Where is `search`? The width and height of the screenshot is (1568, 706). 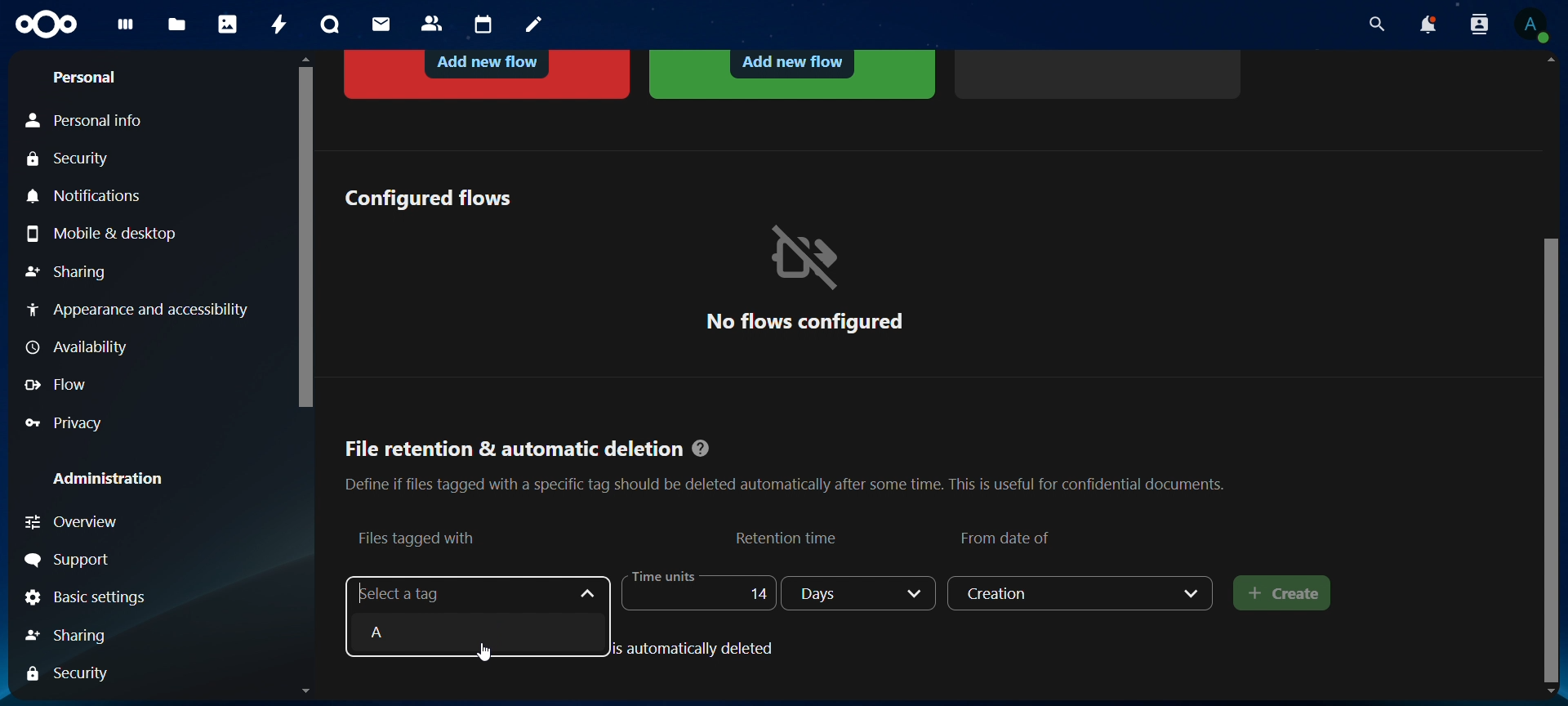 search is located at coordinates (1373, 25).